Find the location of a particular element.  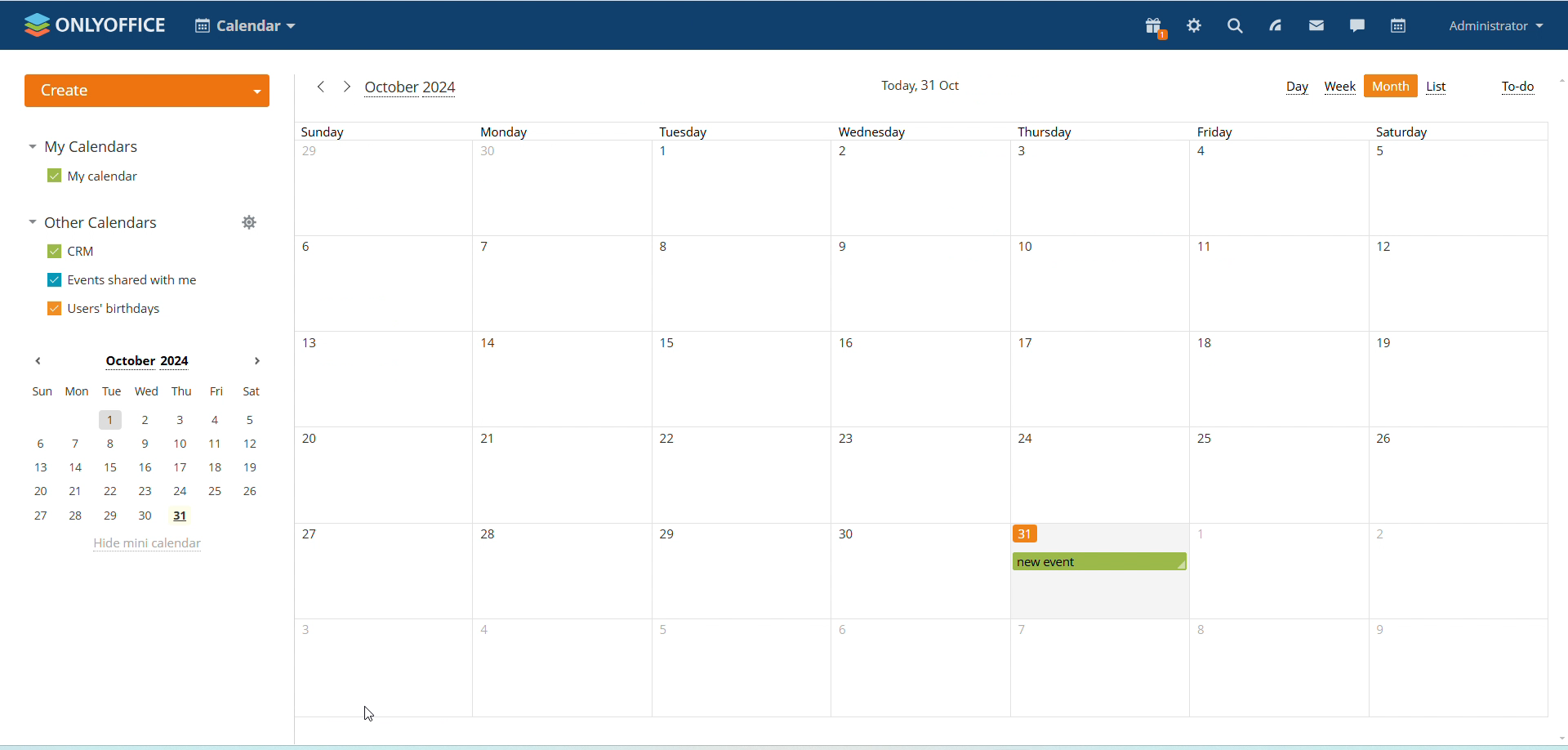

monday is located at coordinates (562, 419).